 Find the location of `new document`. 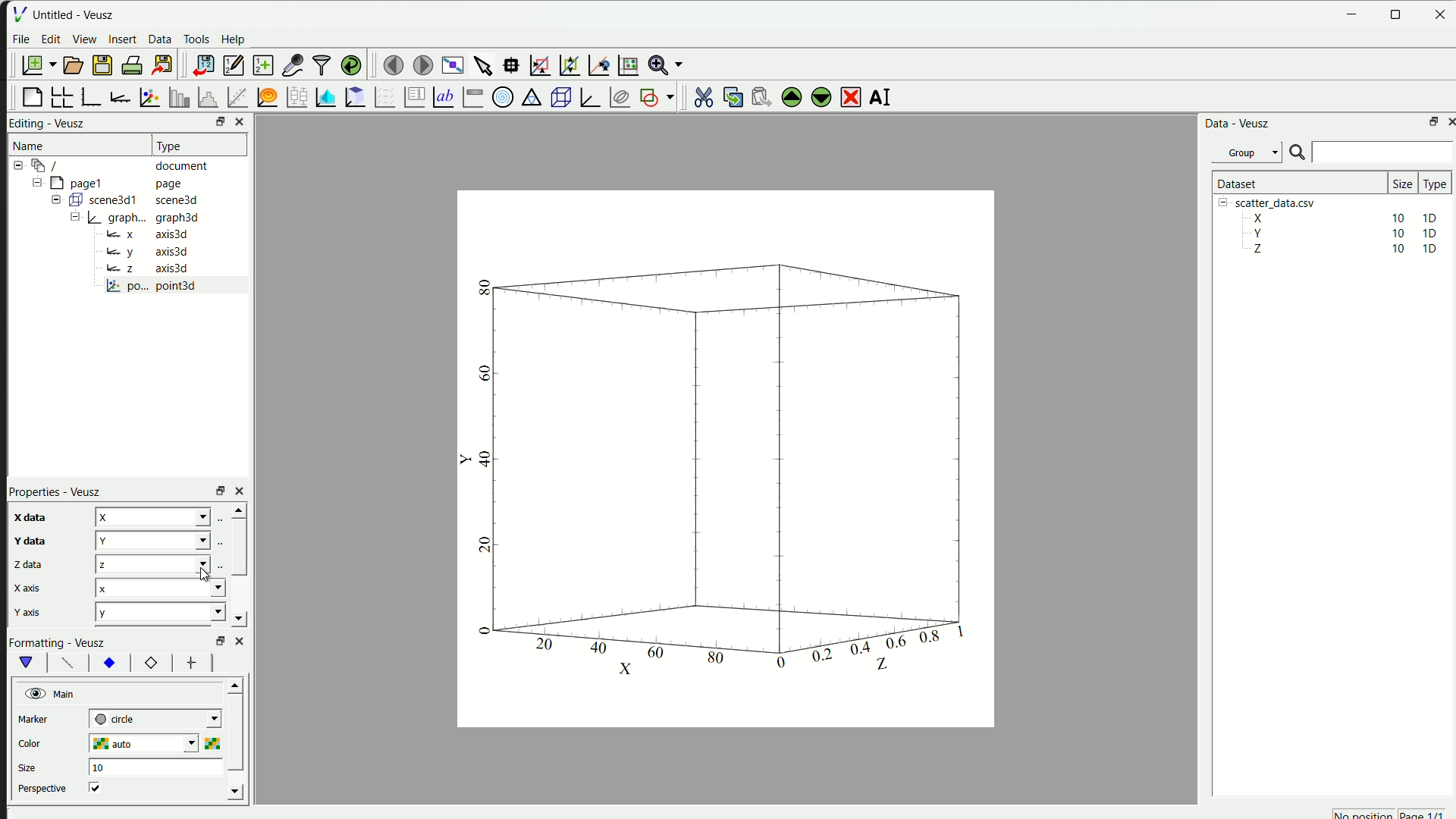

new document is located at coordinates (35, 64).